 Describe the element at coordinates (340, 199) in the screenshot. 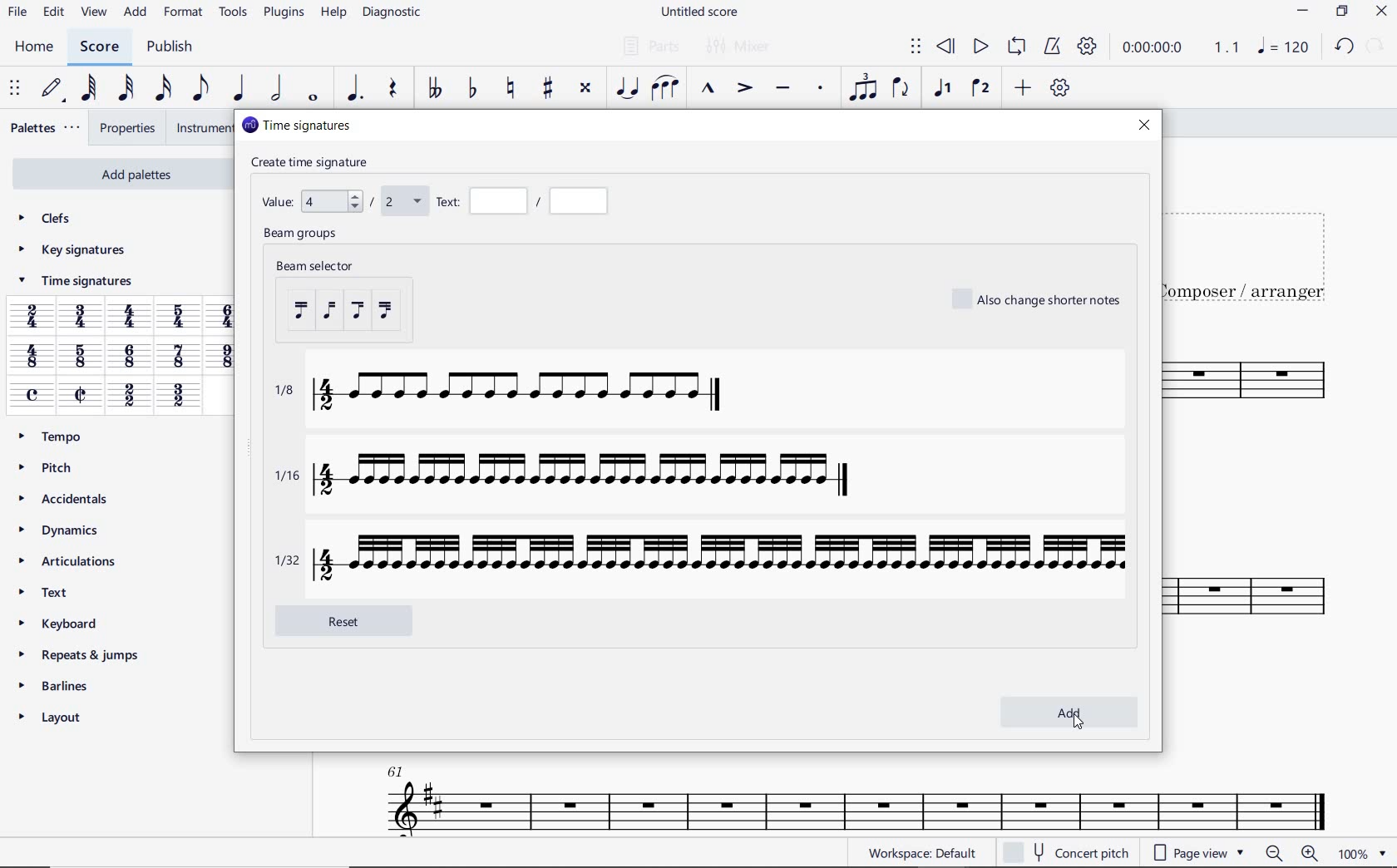

I see `value 4 / 2` at that location.